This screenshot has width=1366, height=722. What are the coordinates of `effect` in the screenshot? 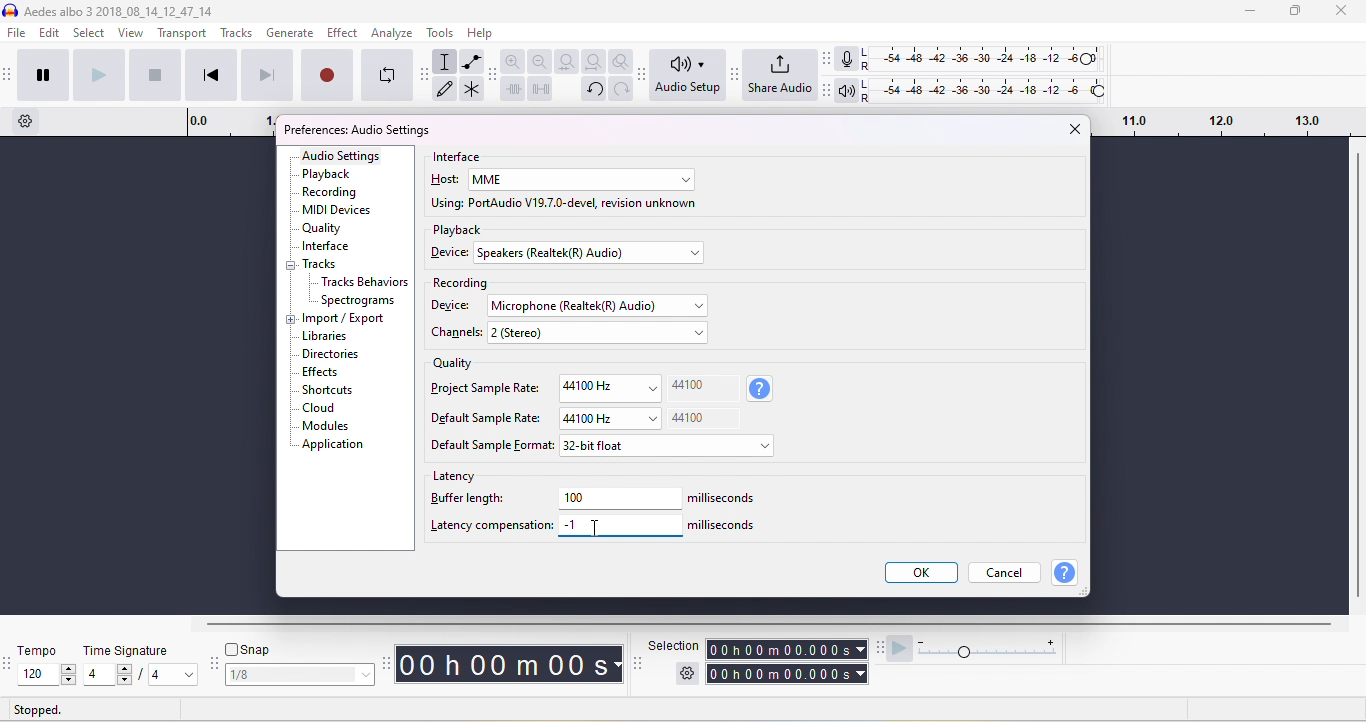 It's located at (342, 32).